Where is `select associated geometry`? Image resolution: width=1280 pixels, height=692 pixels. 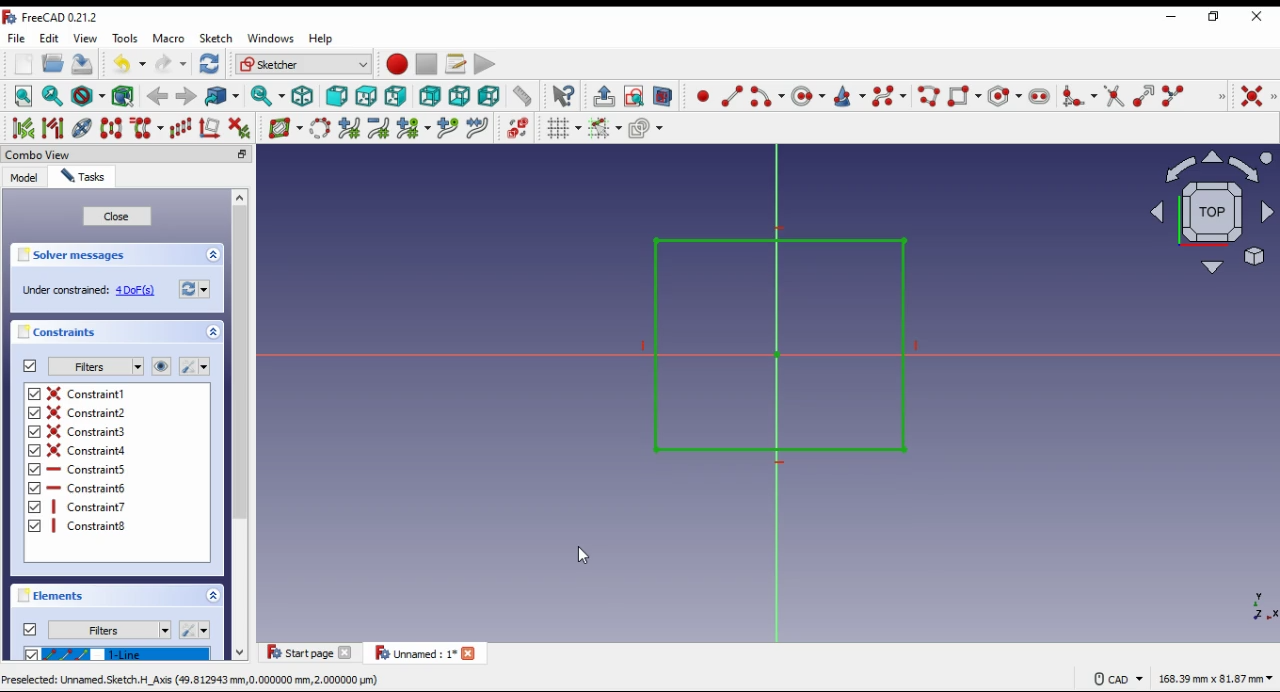
select associated geometry is located at coordinates (125, 95).